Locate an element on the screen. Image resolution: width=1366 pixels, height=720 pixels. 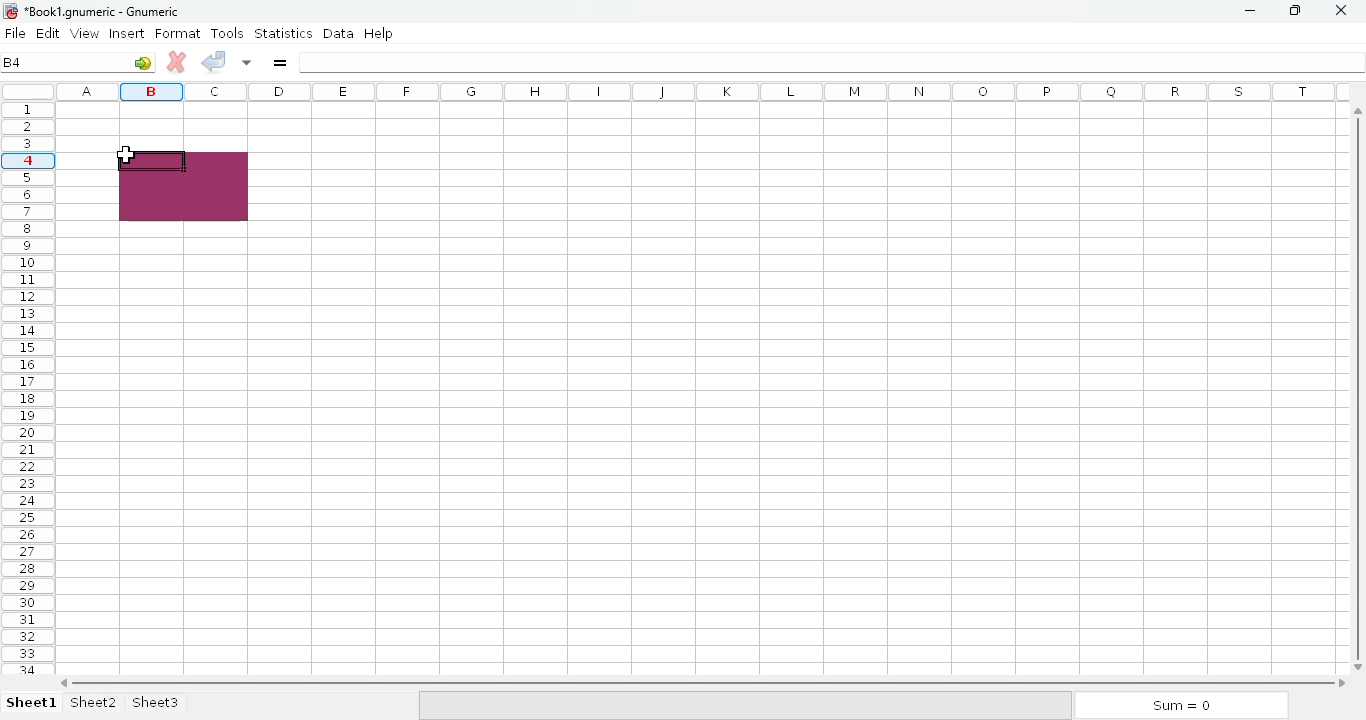
file is located at coordinates (15, 33).